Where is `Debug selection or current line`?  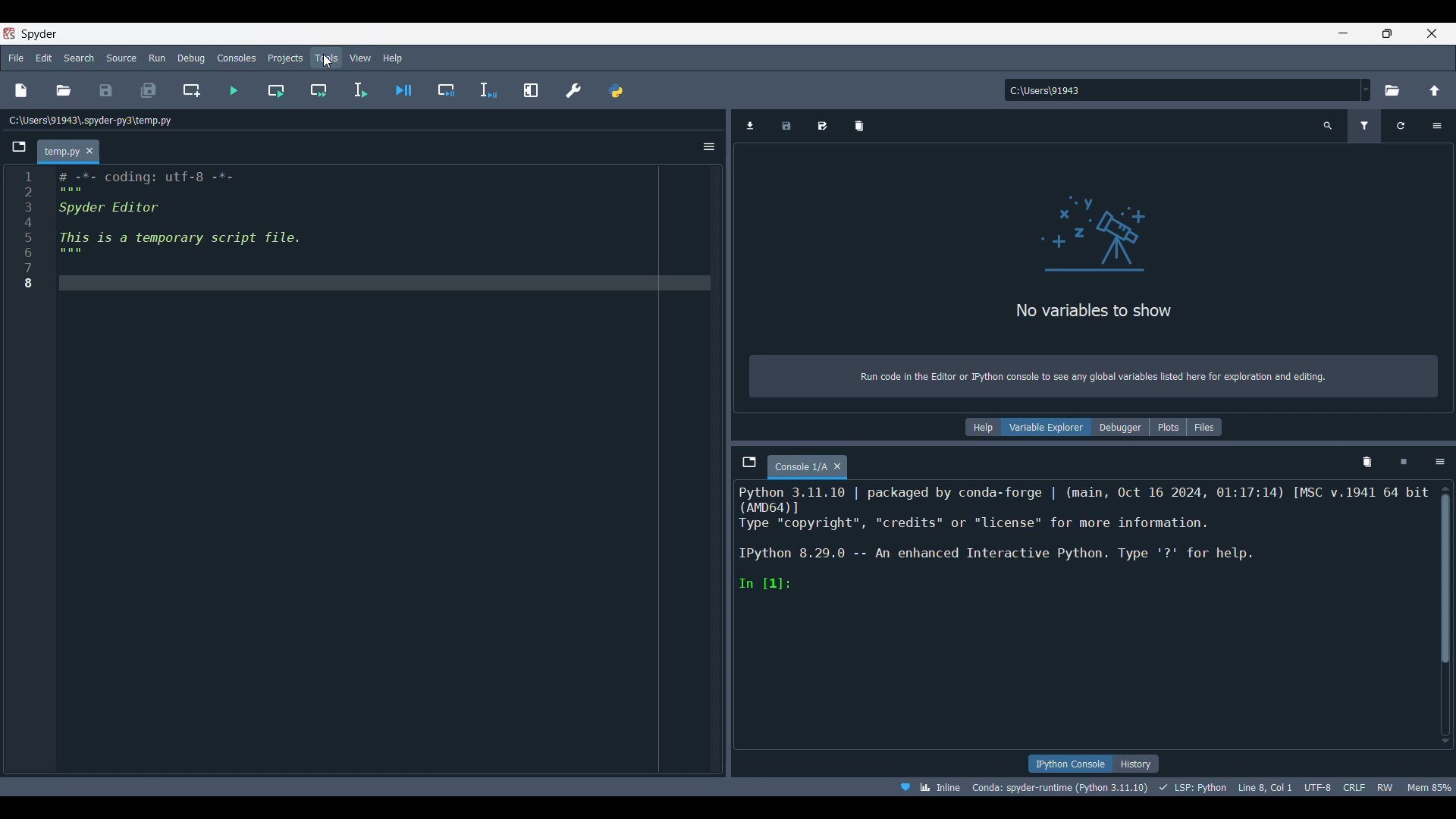
Debug selection or current line is located at coordinates (488, 90).